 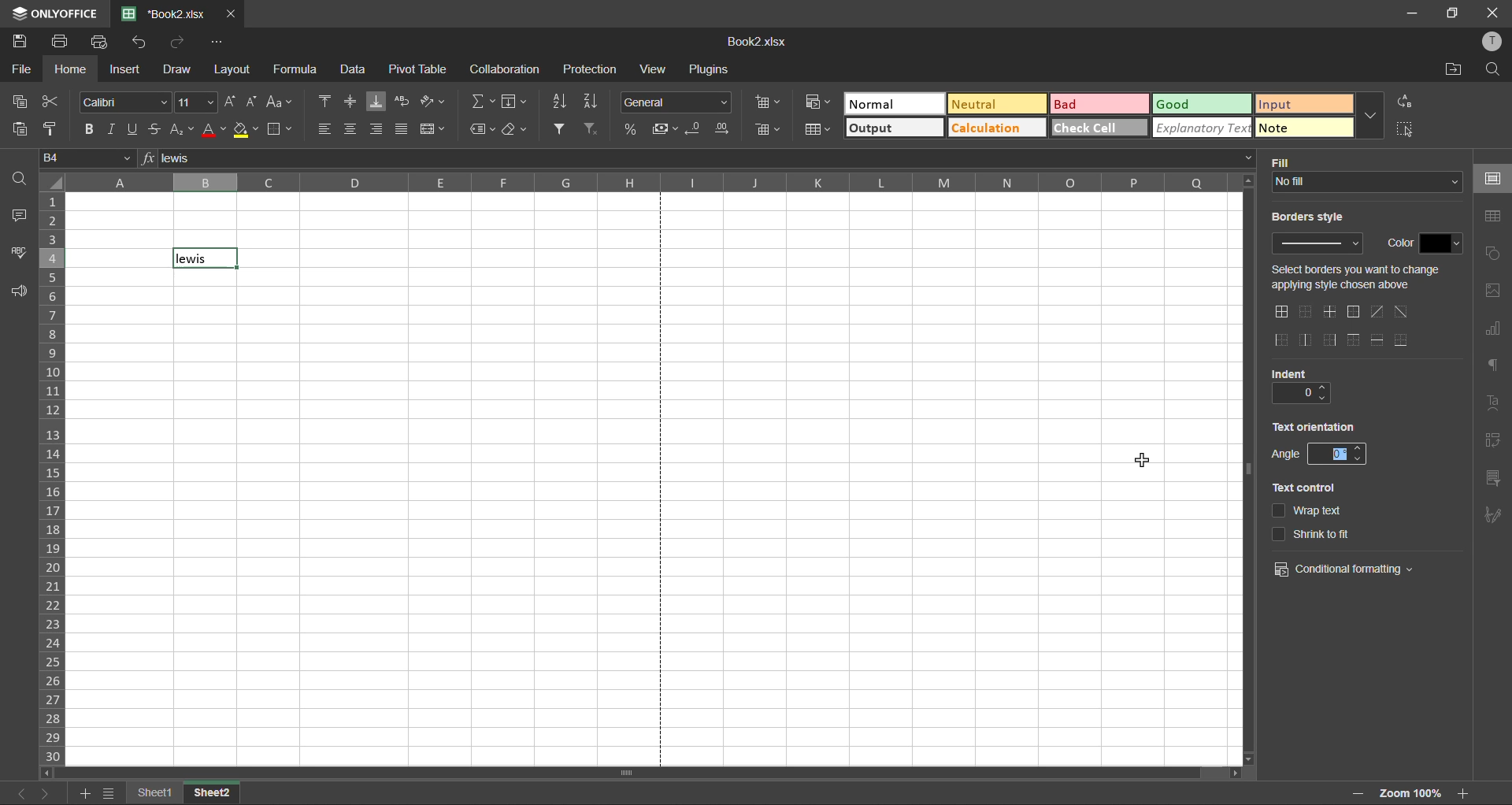 I want to click on diagonal up border, so click(x=1375, y=311).